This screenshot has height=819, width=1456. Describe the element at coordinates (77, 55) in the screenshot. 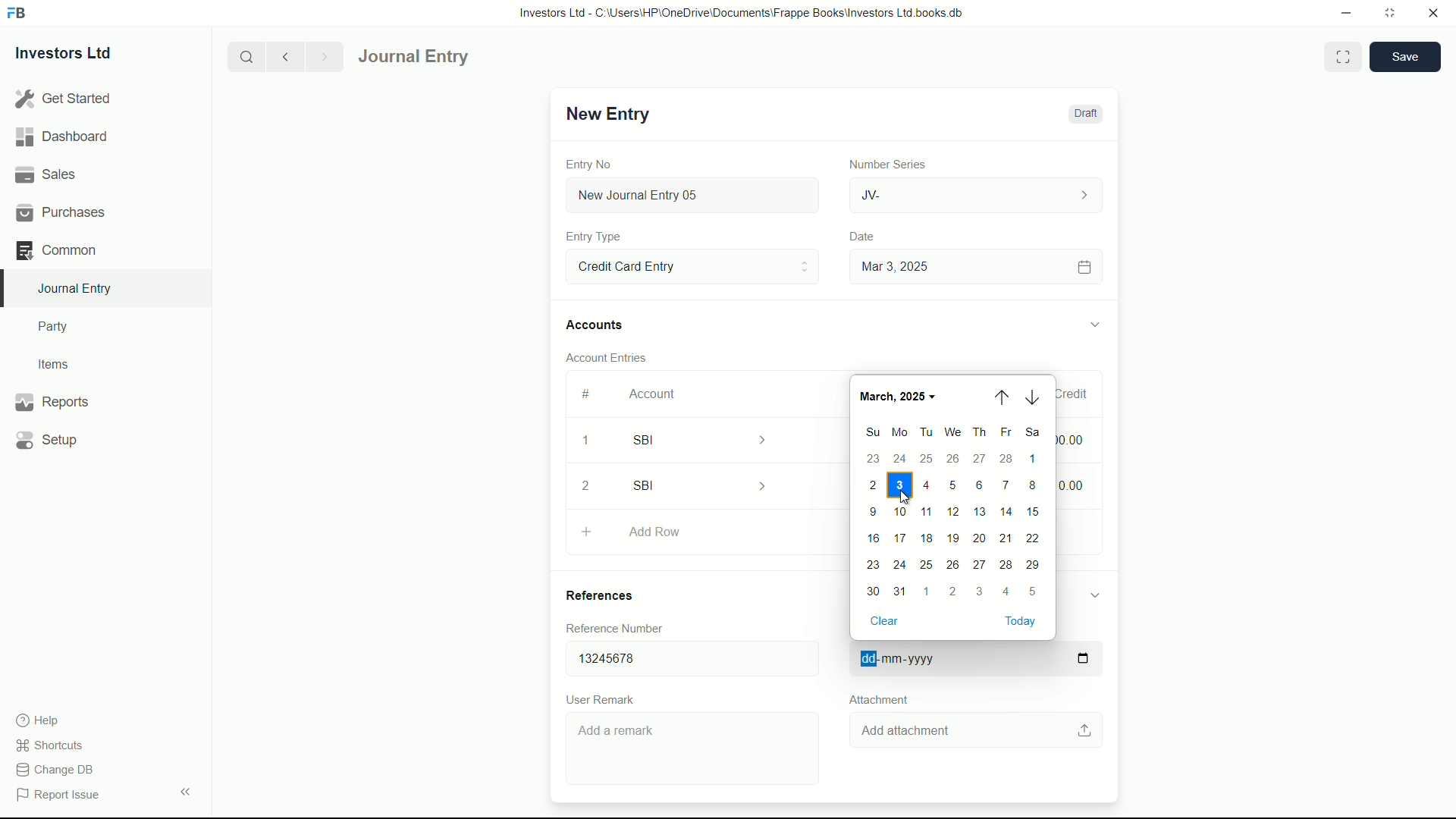

I see `Investors Ltd` at that location.